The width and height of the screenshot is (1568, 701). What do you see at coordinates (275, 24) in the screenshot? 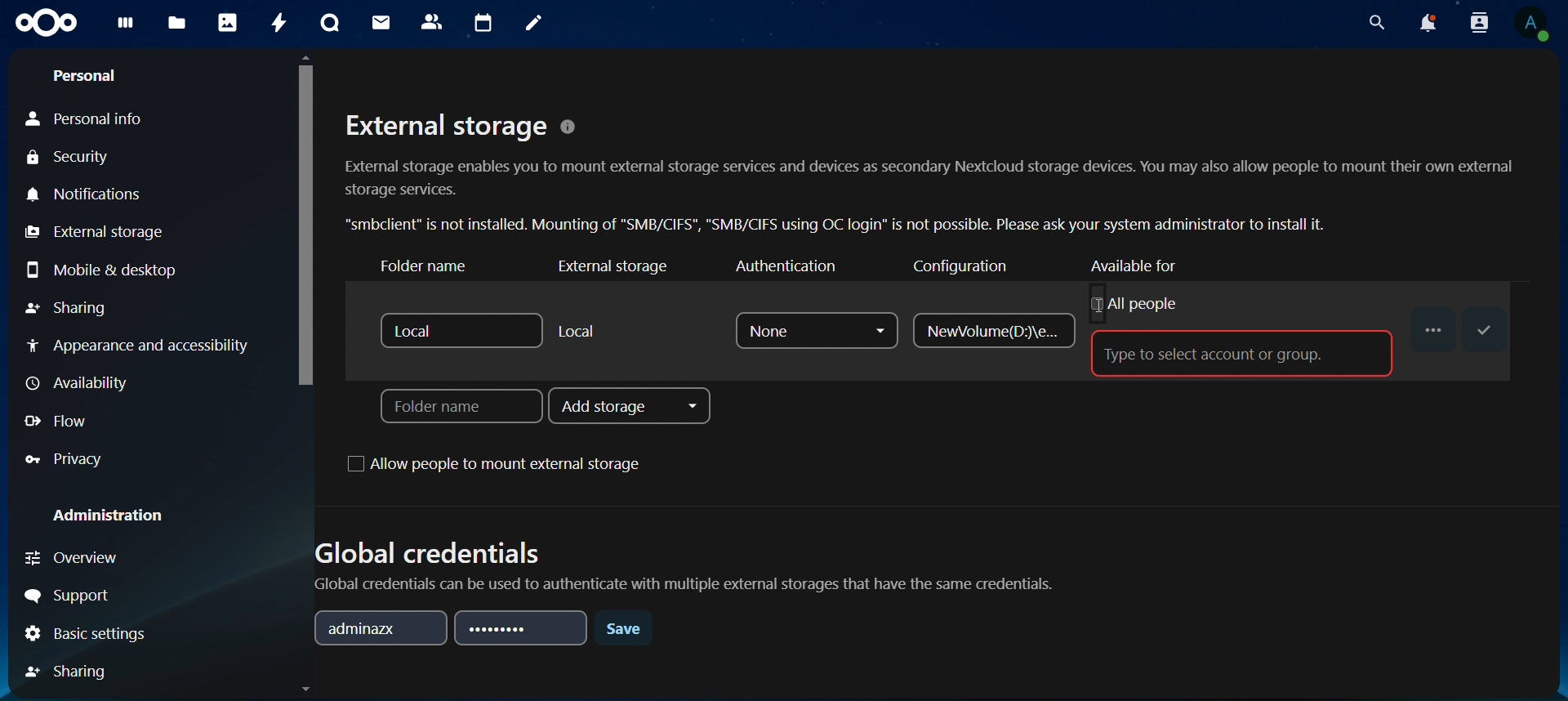
I see `activity` at bounding box center [275, 24].